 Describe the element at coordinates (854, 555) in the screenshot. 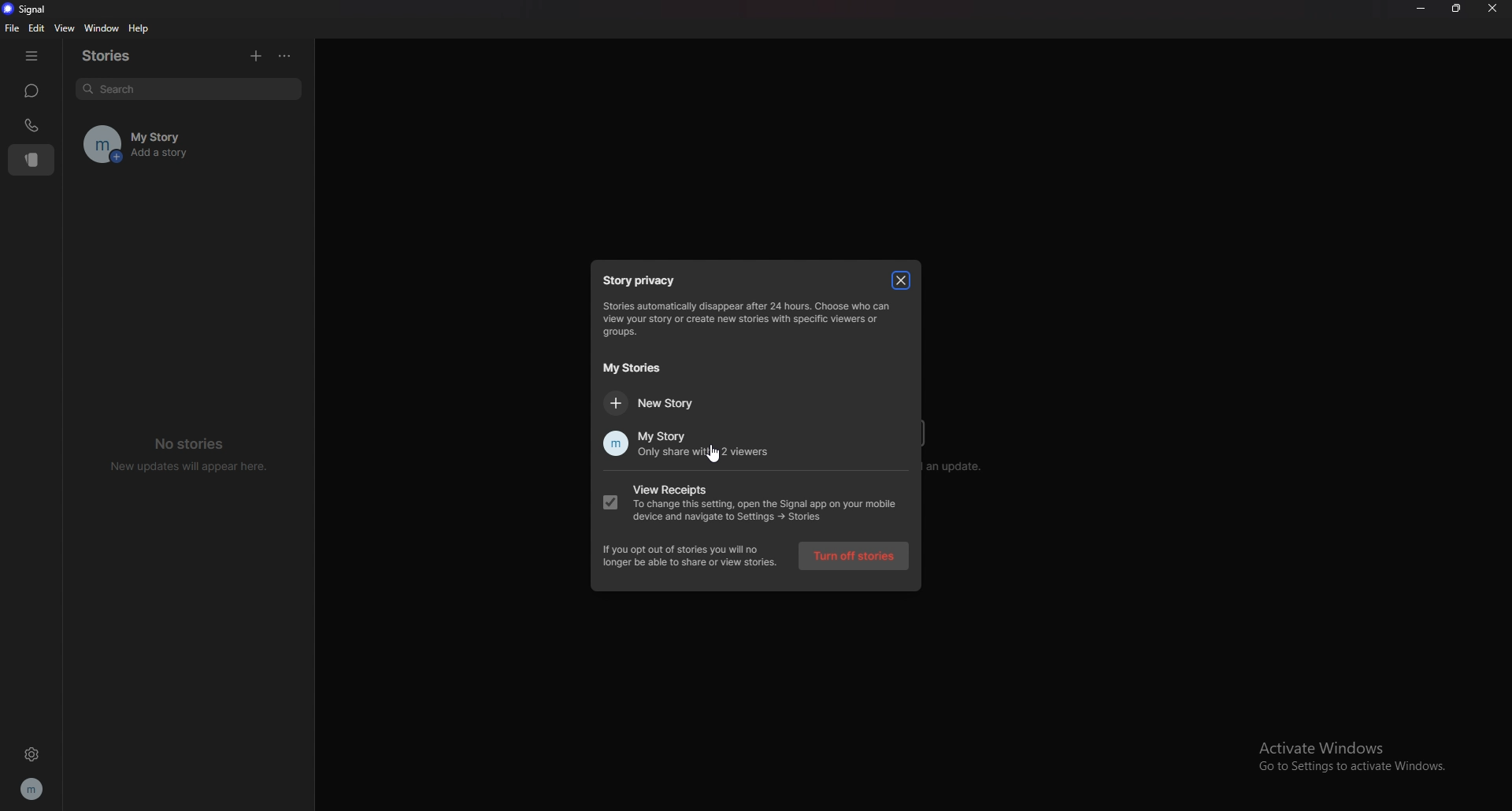

I see `turn off stories` at that location.